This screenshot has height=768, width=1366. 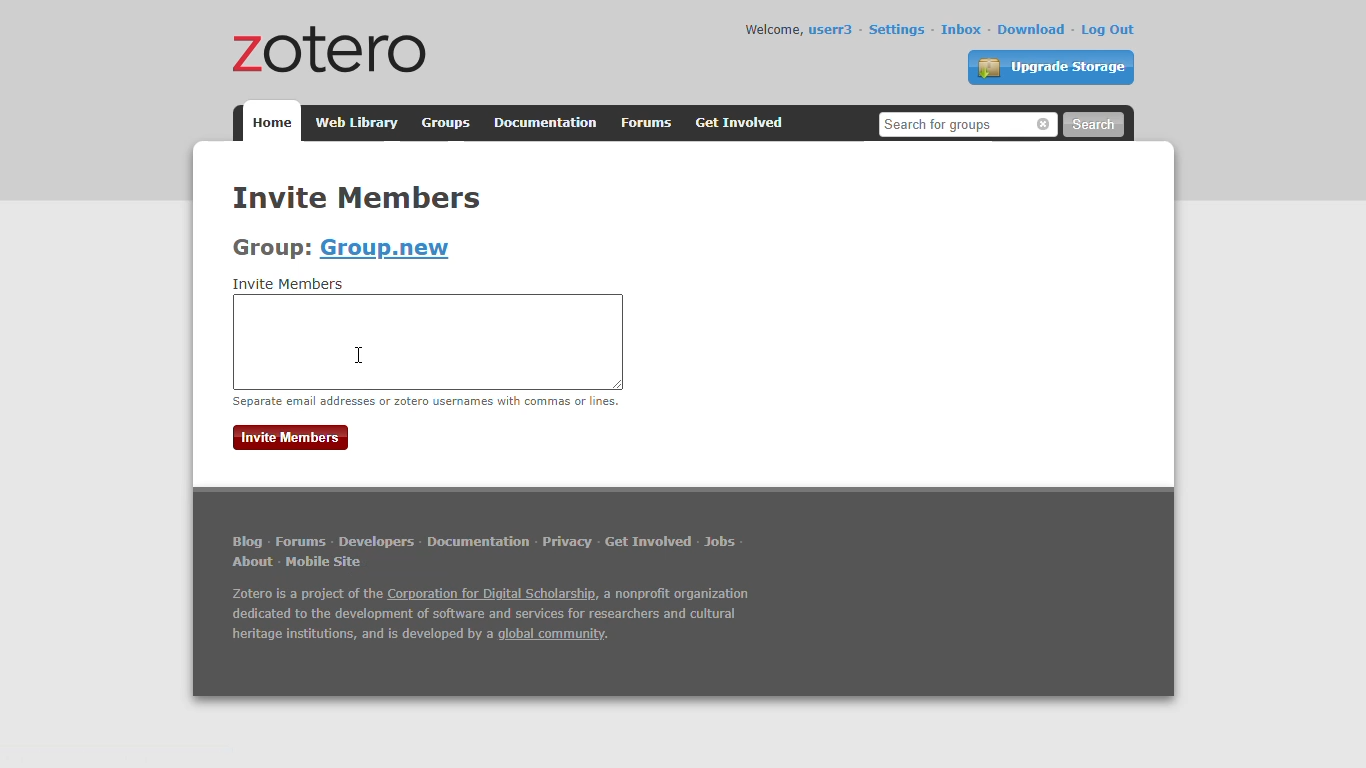 What do you see at coordinates (646, 123) in the screenshot?
I see `forums` at bounding box center [646, 123].